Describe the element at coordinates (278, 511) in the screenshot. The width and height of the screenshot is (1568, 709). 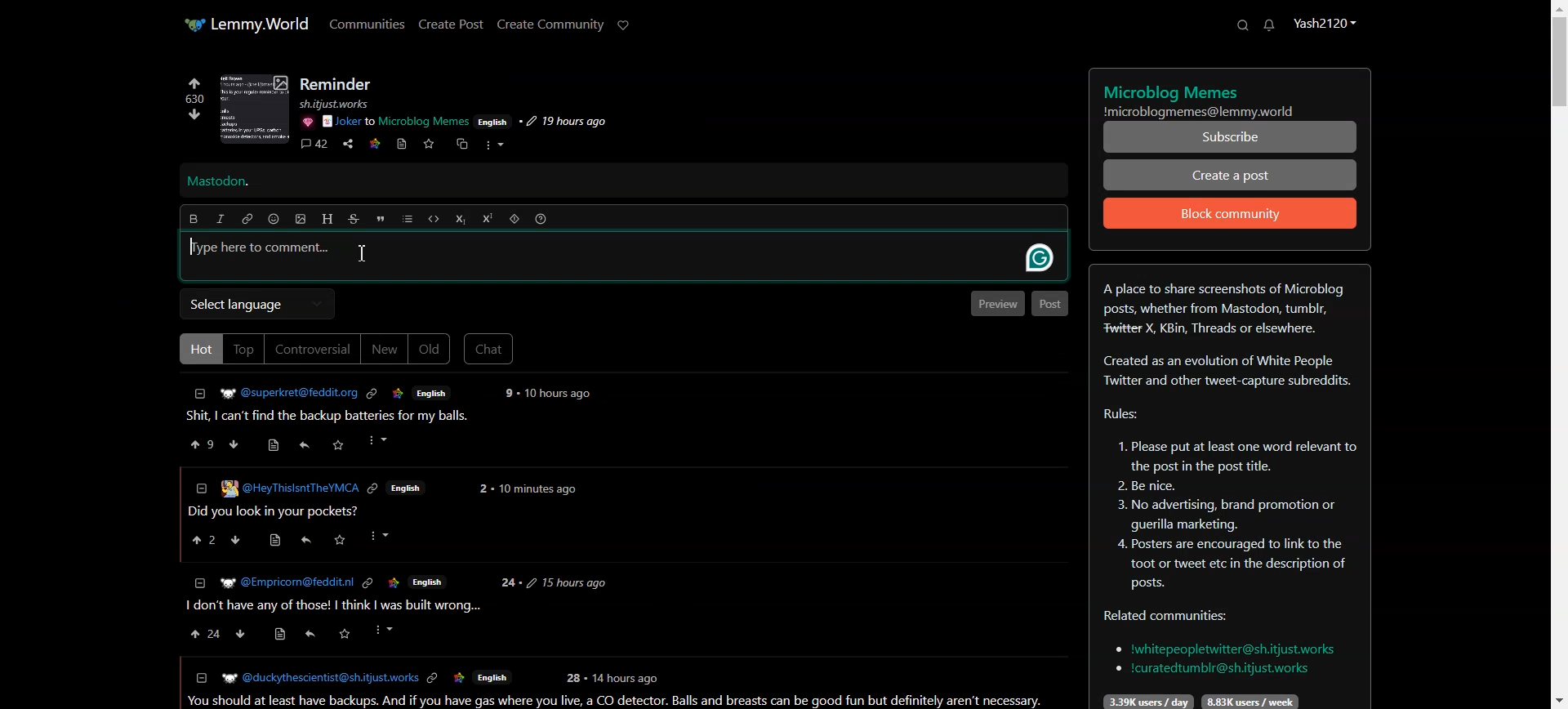
I see `Did you look in your pockets?` at that location.